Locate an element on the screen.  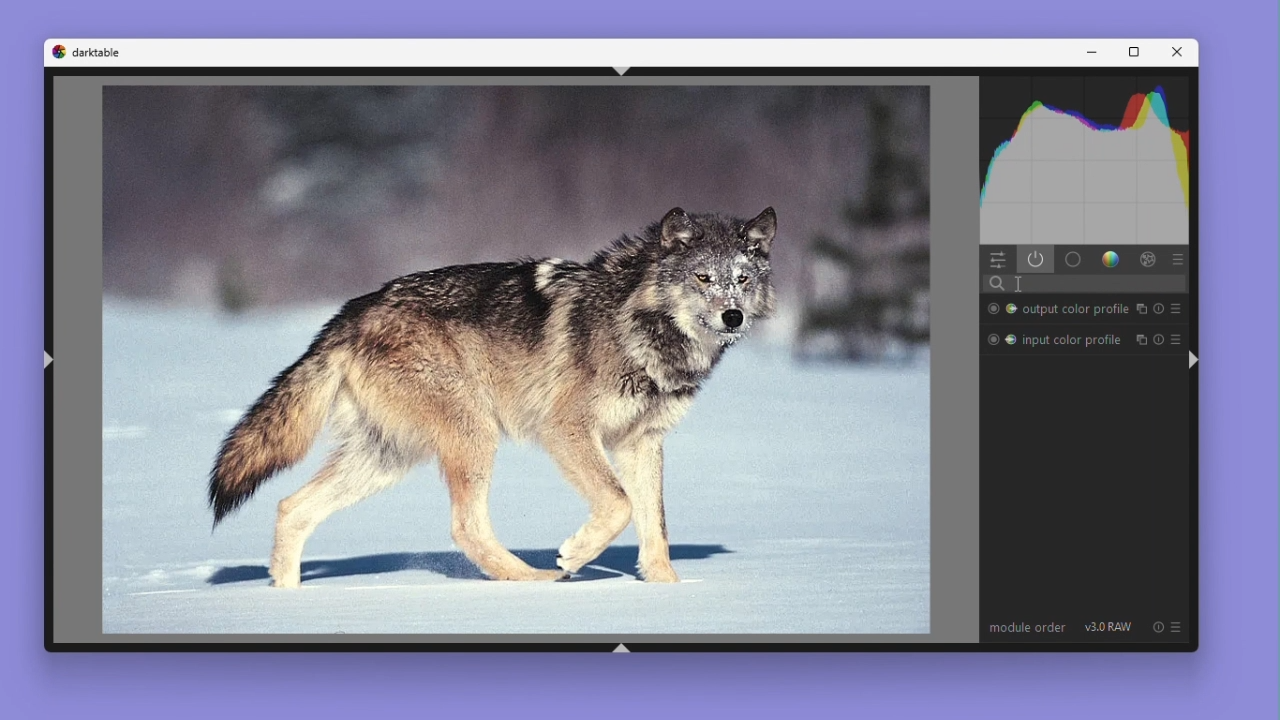
V3.0 RAW is located at coordinates (1108, 628).